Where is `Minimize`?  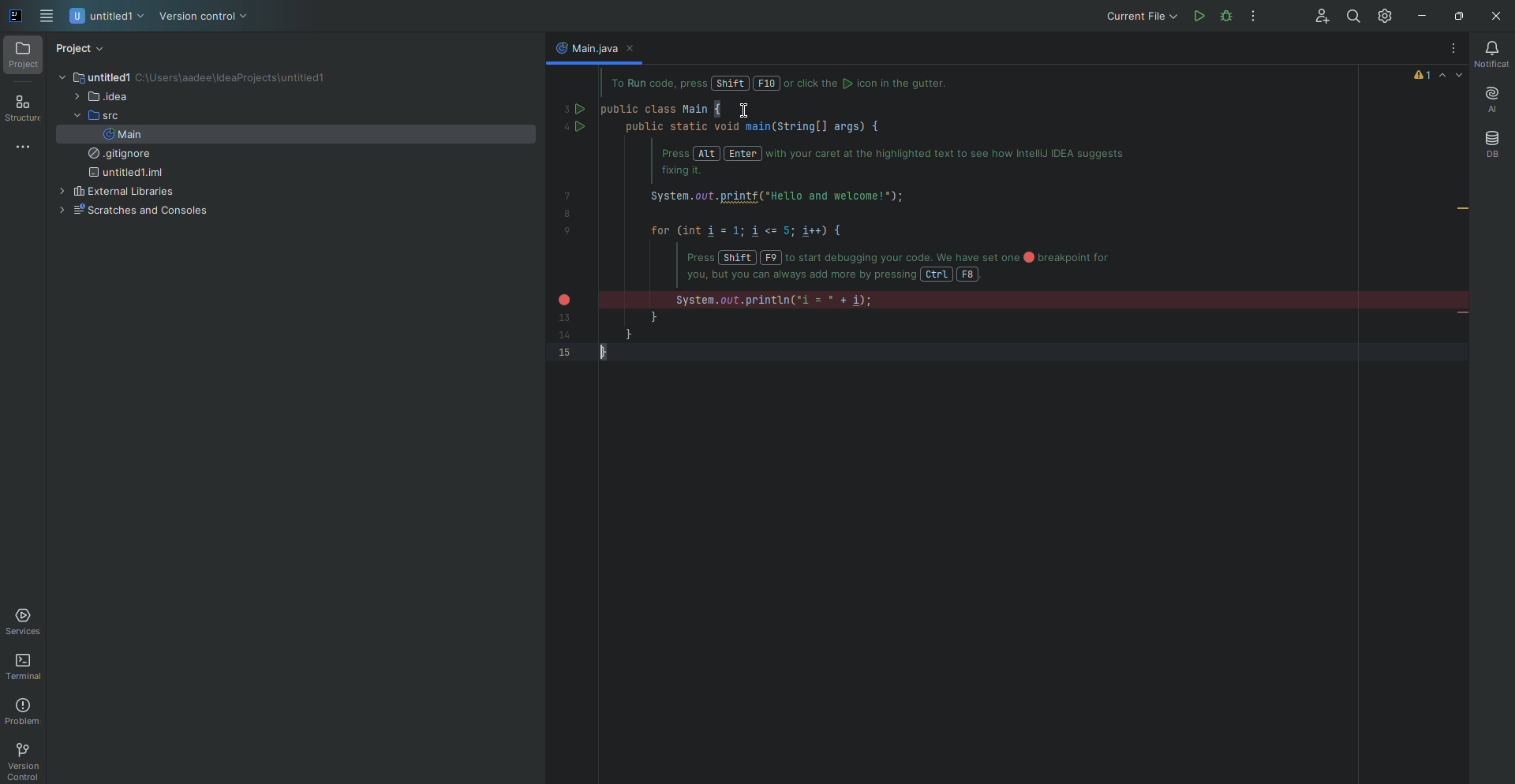
Minimize is located at coordinates (1418, 17).